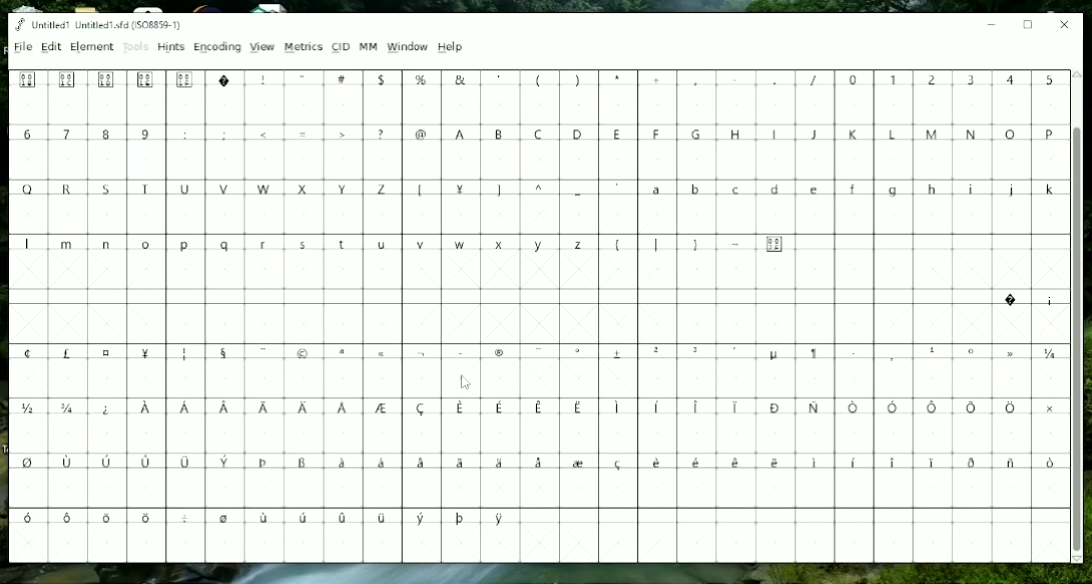  What do you see at coordinates (91, 47) in the screenshot?
I see `Element` at bounding box center [91, 47].